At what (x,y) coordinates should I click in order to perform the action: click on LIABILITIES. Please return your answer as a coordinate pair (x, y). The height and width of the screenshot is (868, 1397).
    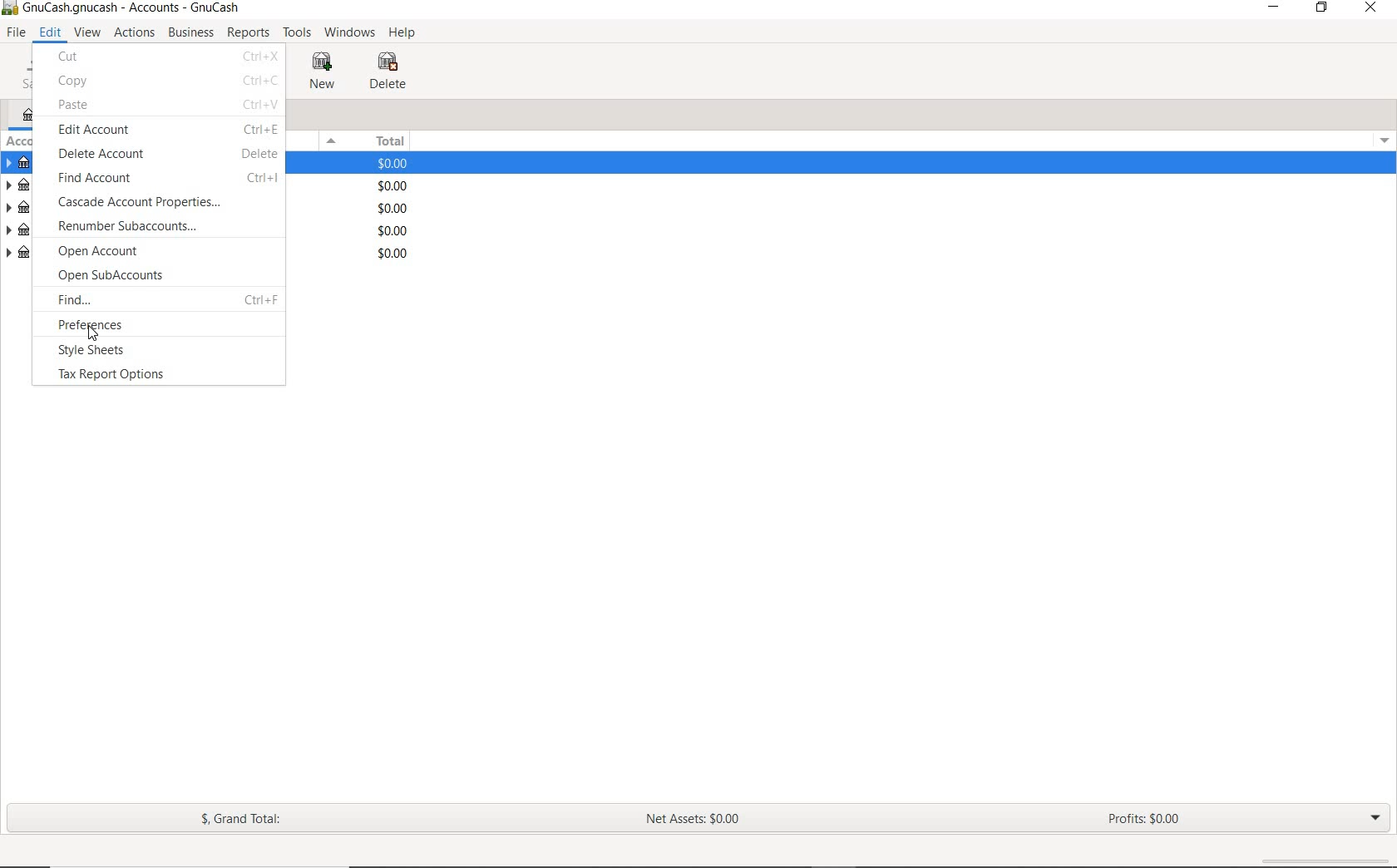
    Looking at the image, I should click on (15, 185).